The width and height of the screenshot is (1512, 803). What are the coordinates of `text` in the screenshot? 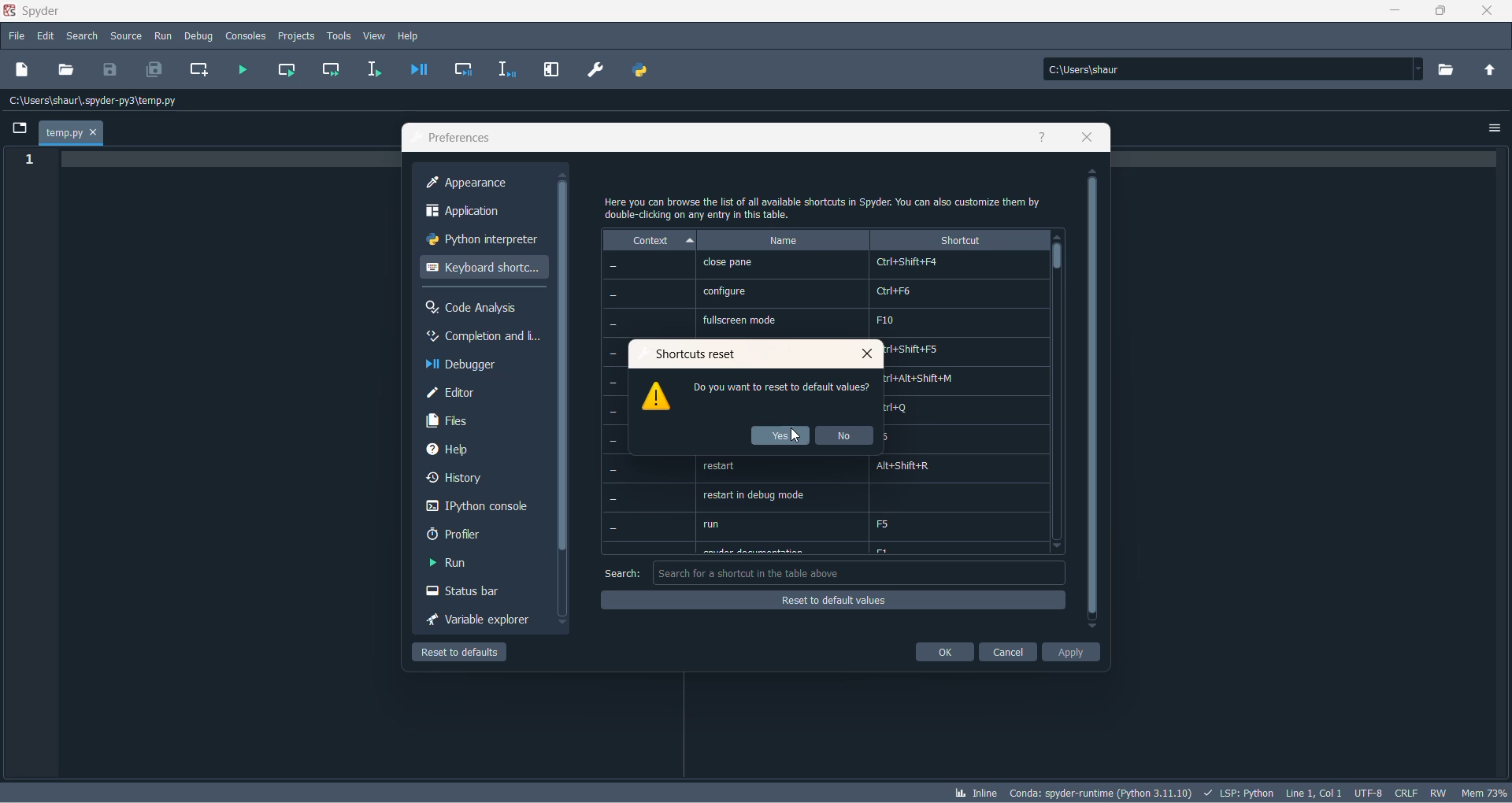 It's located at (821, 209).